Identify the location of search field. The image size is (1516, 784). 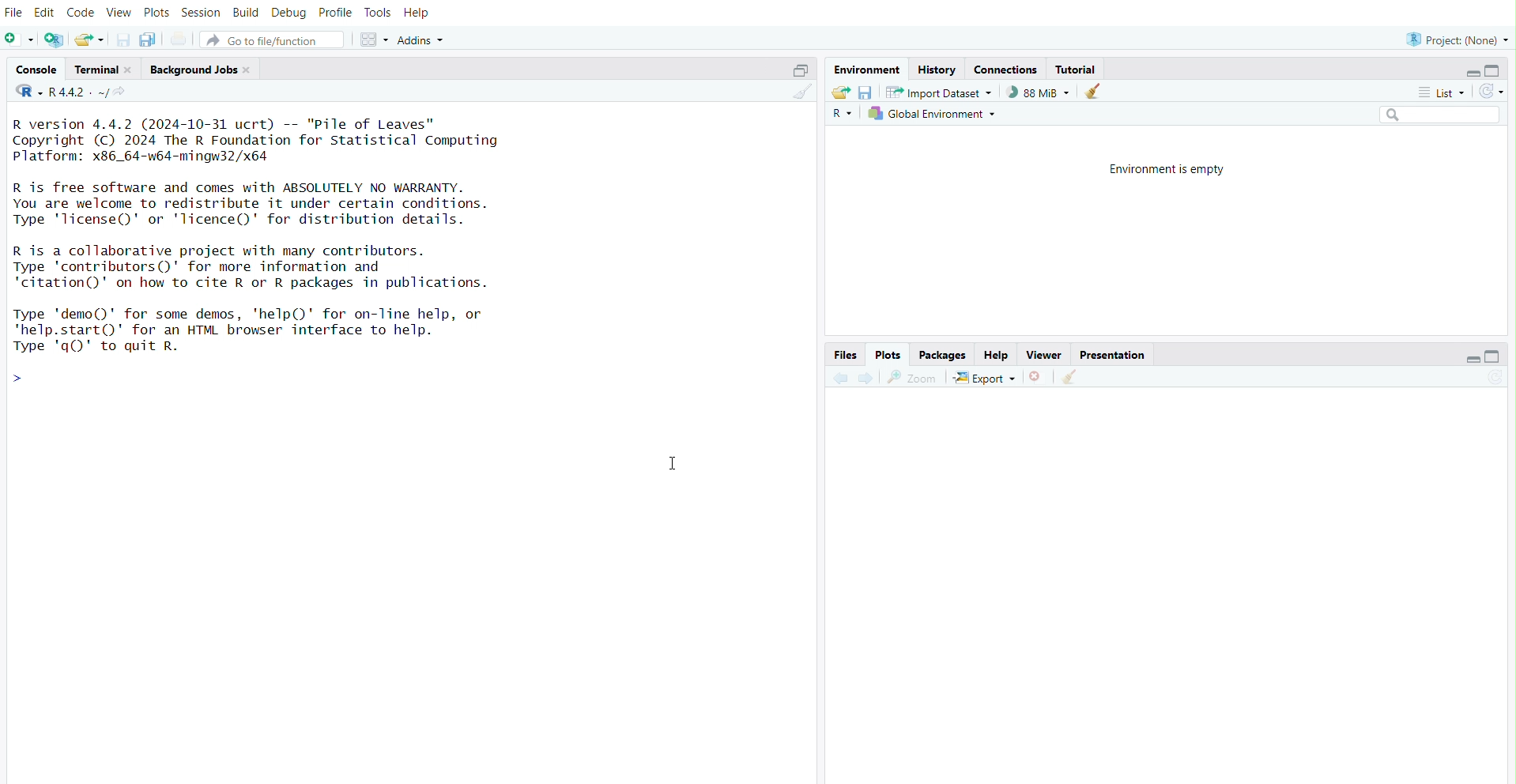
(1441, 115).